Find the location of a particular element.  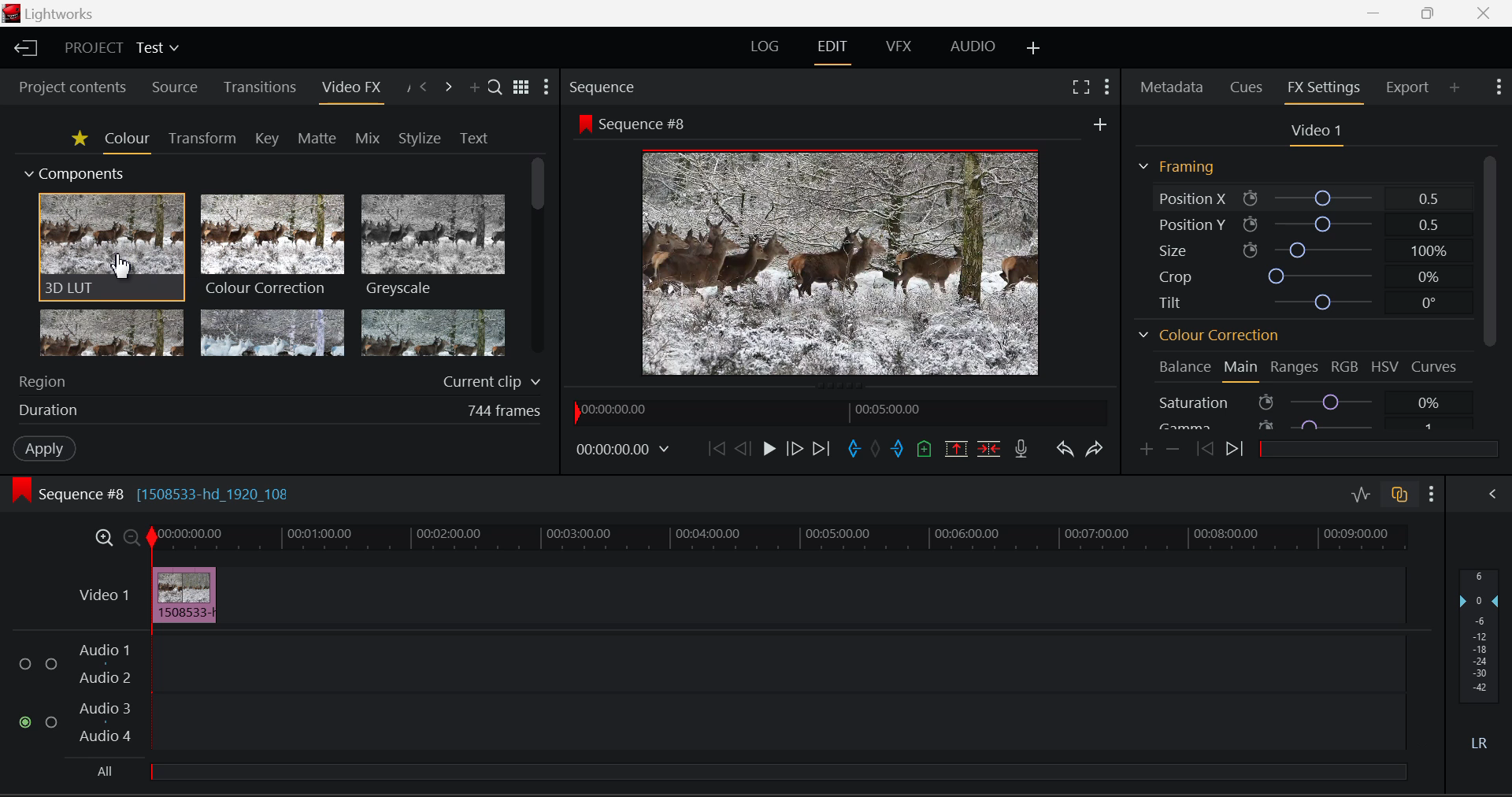

To End is located at coordinates (822, 451).